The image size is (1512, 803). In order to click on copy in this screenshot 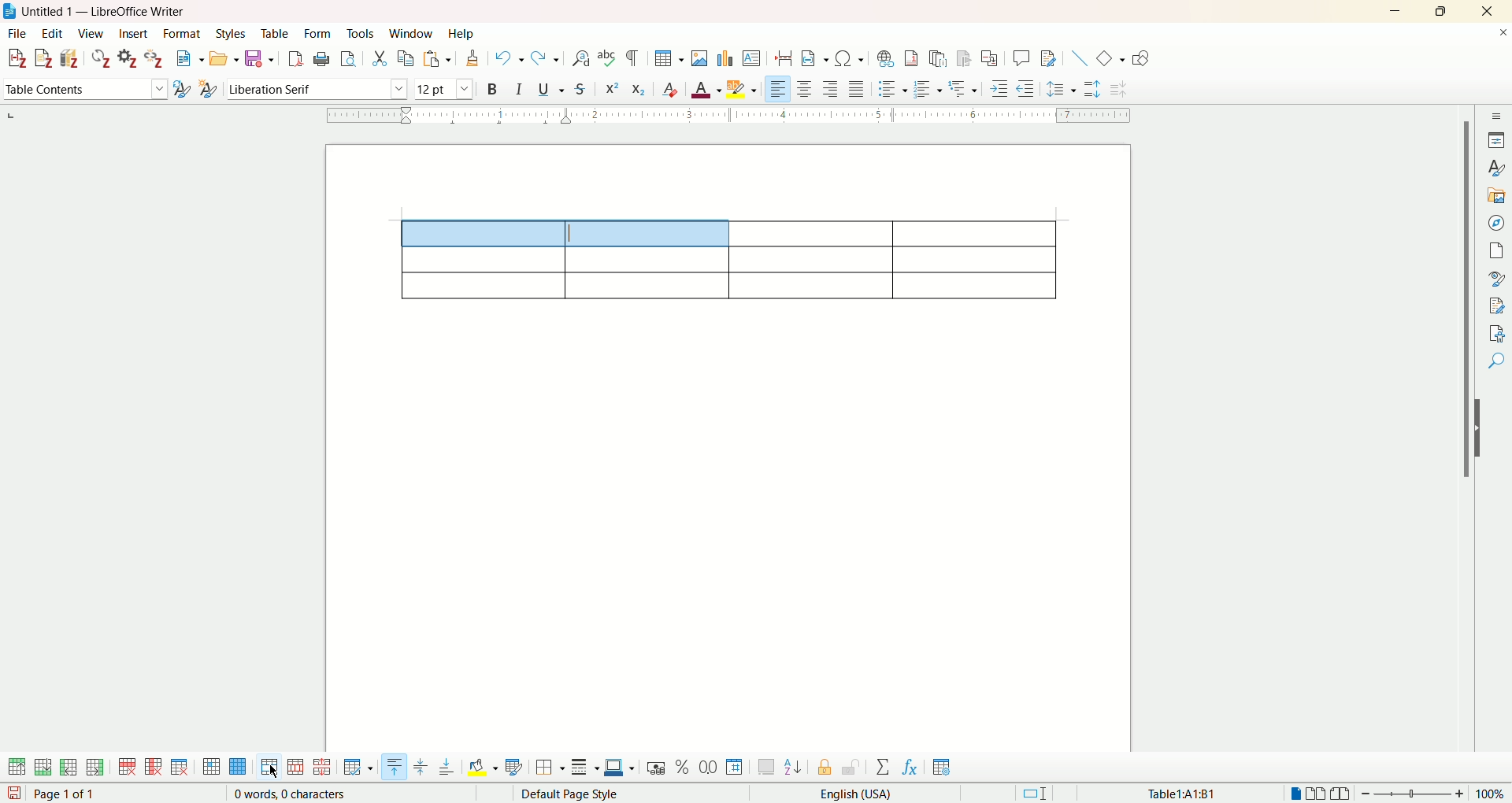, I will do `click(409, 59)`.